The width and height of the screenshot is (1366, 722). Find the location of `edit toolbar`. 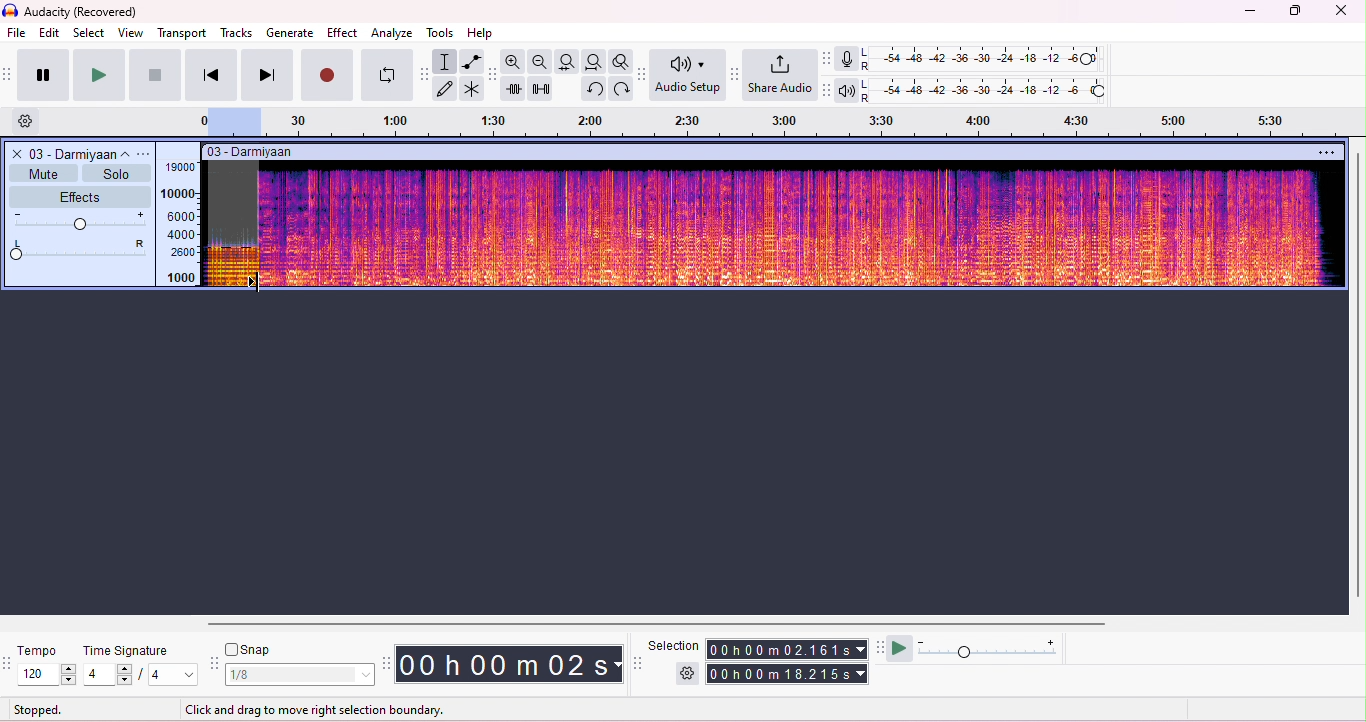

edit toolbar is located at coordinates (493, 74).